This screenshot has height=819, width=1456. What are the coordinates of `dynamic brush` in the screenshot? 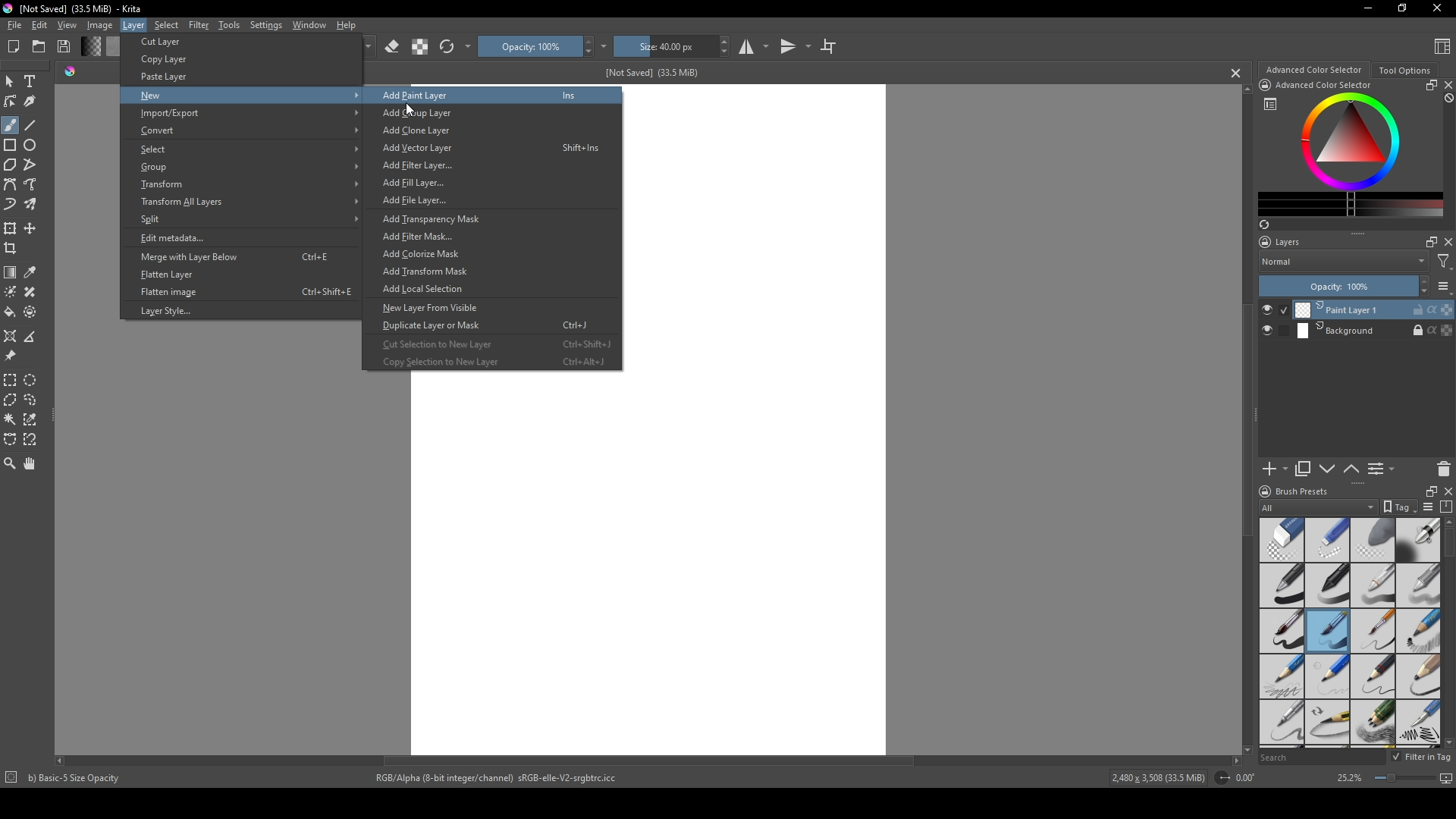 It's located at (11, 206).